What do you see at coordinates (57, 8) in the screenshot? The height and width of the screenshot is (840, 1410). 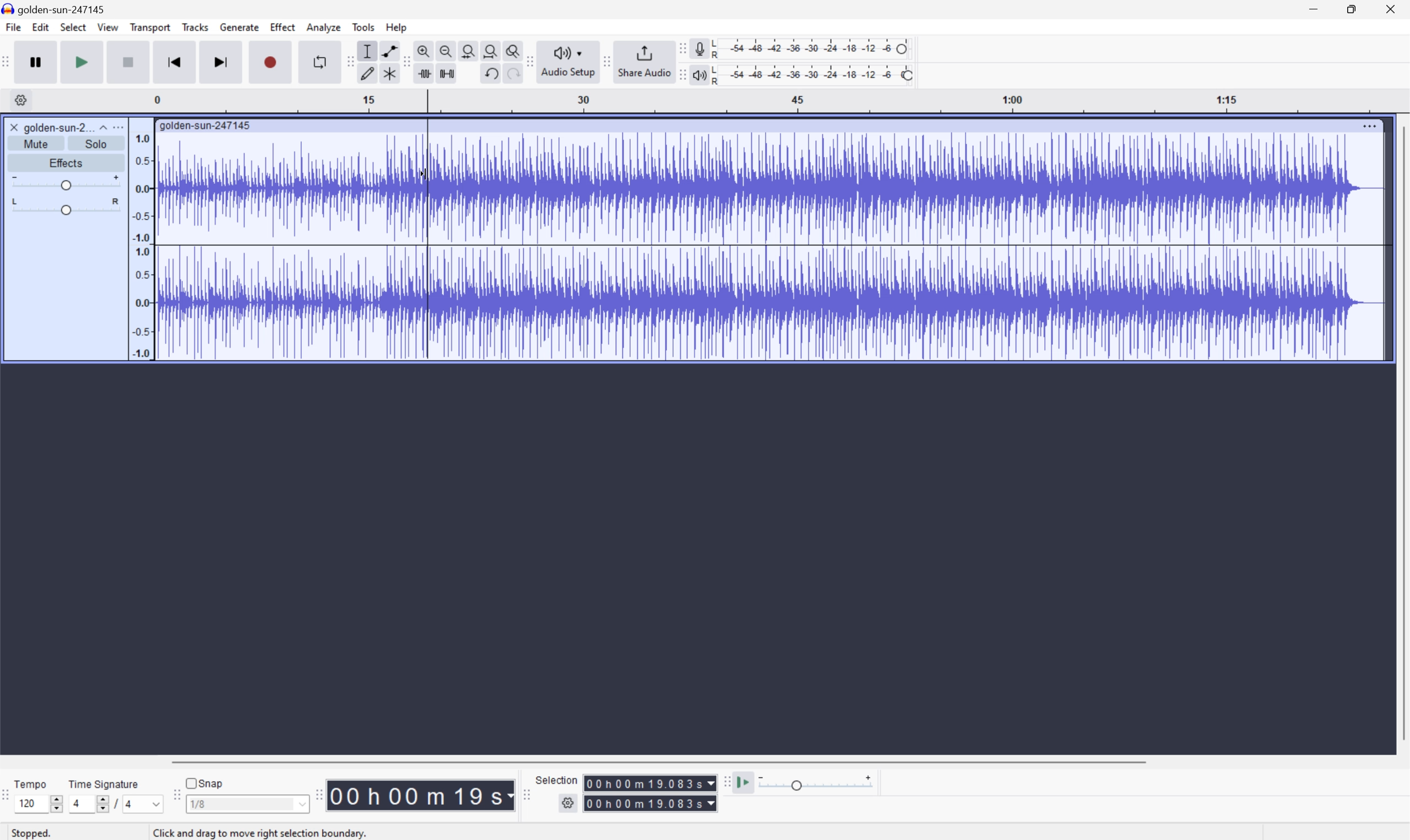 I see `golden-sun-247145` at bounding box center [57, 8].